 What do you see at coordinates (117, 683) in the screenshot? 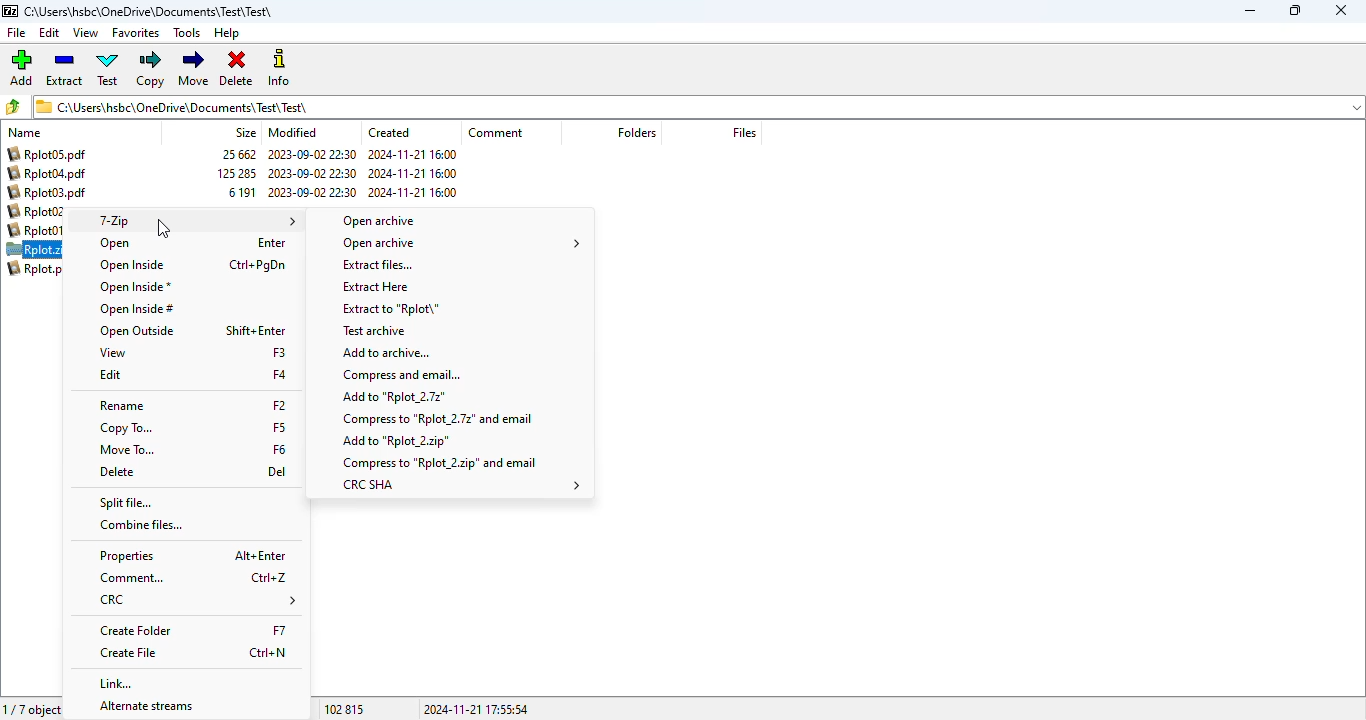
I see `link` at bounding box center [117, 683].